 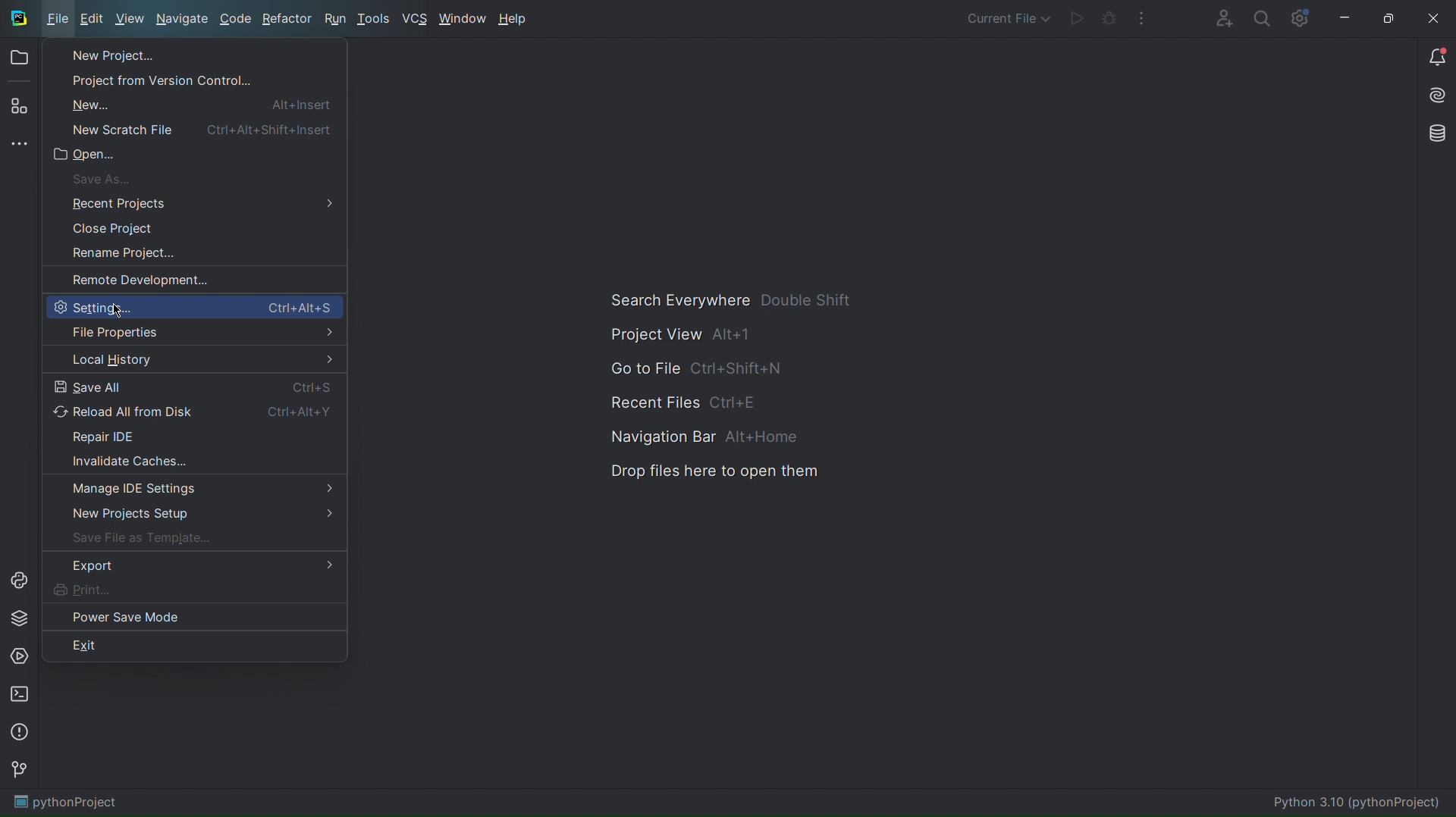 I want to click on Remote Development, so click(x=135, y=280).